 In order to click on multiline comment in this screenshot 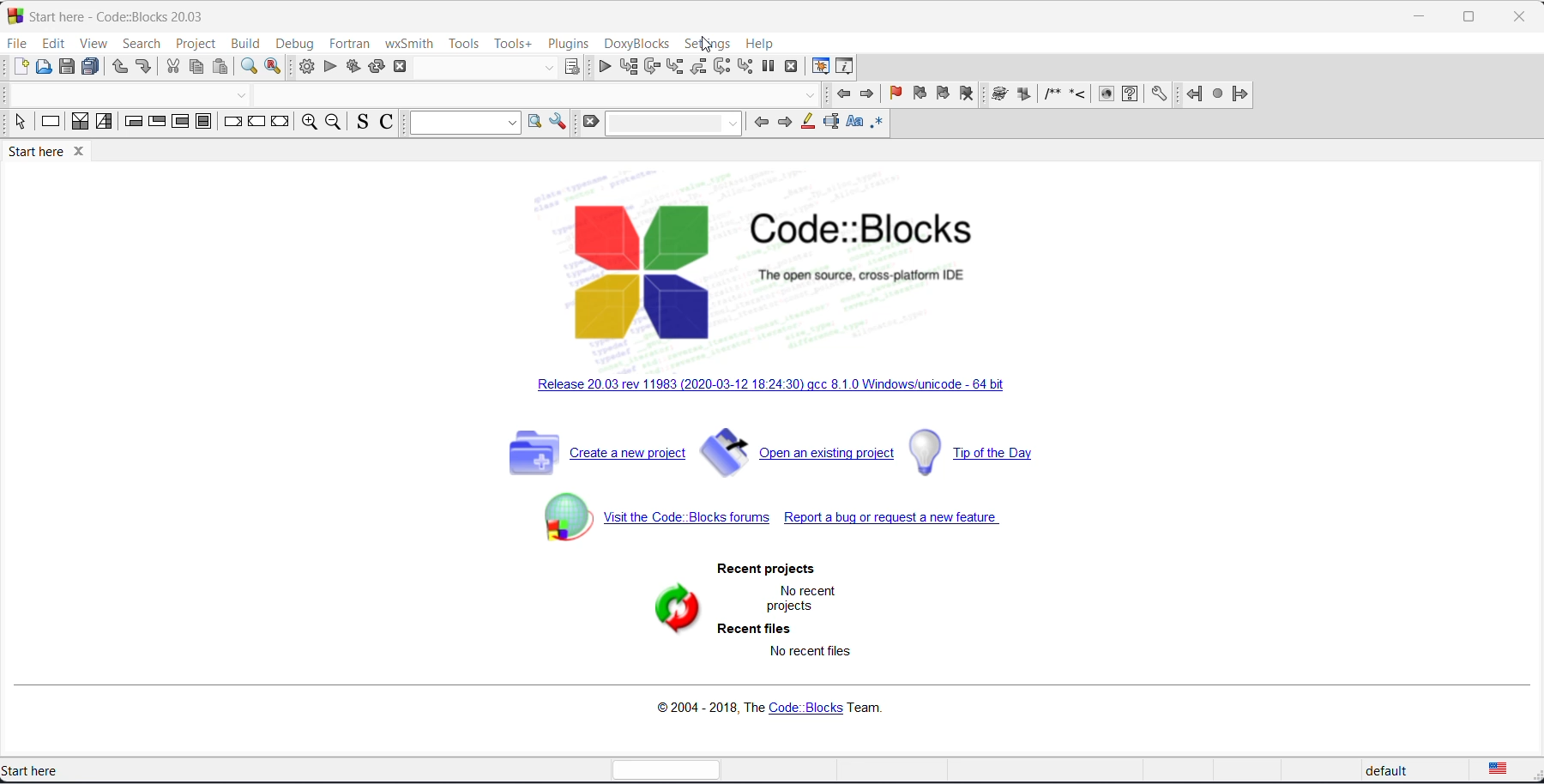, I will do `click(1052, 93)`.